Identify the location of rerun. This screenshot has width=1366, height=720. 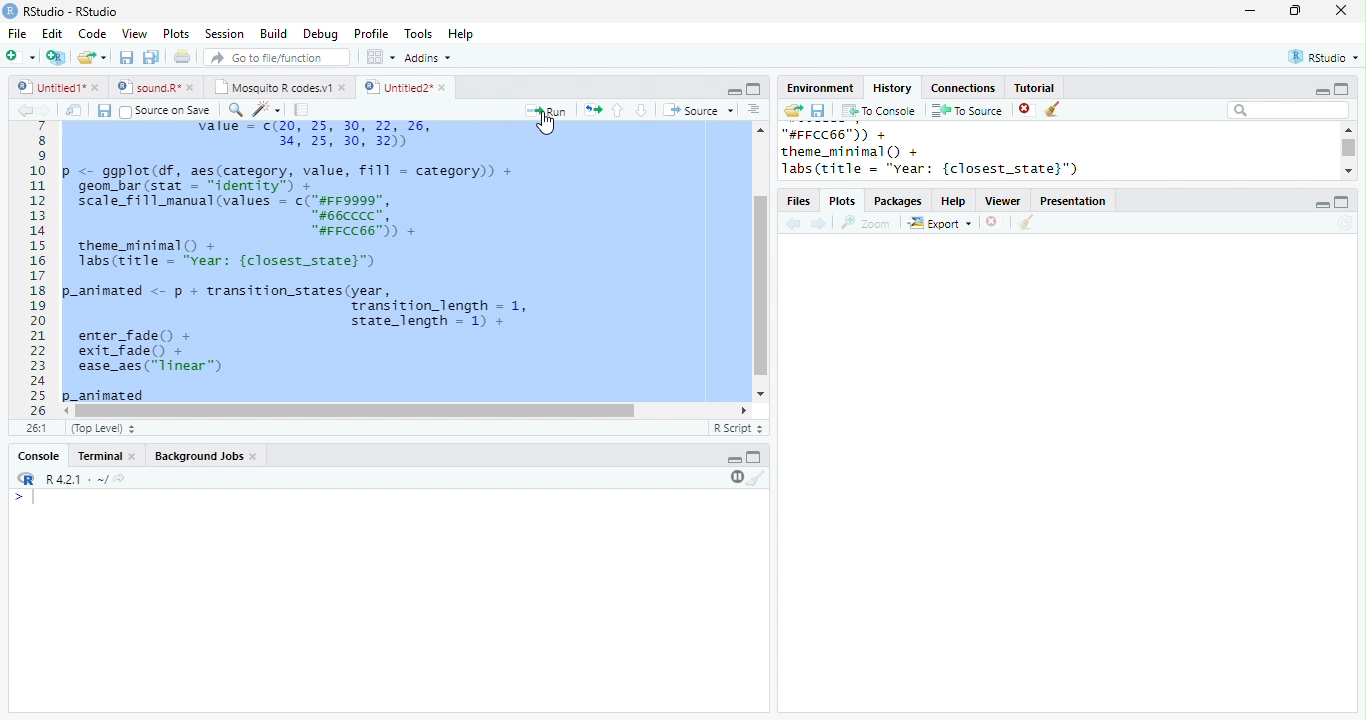
(594, 109).